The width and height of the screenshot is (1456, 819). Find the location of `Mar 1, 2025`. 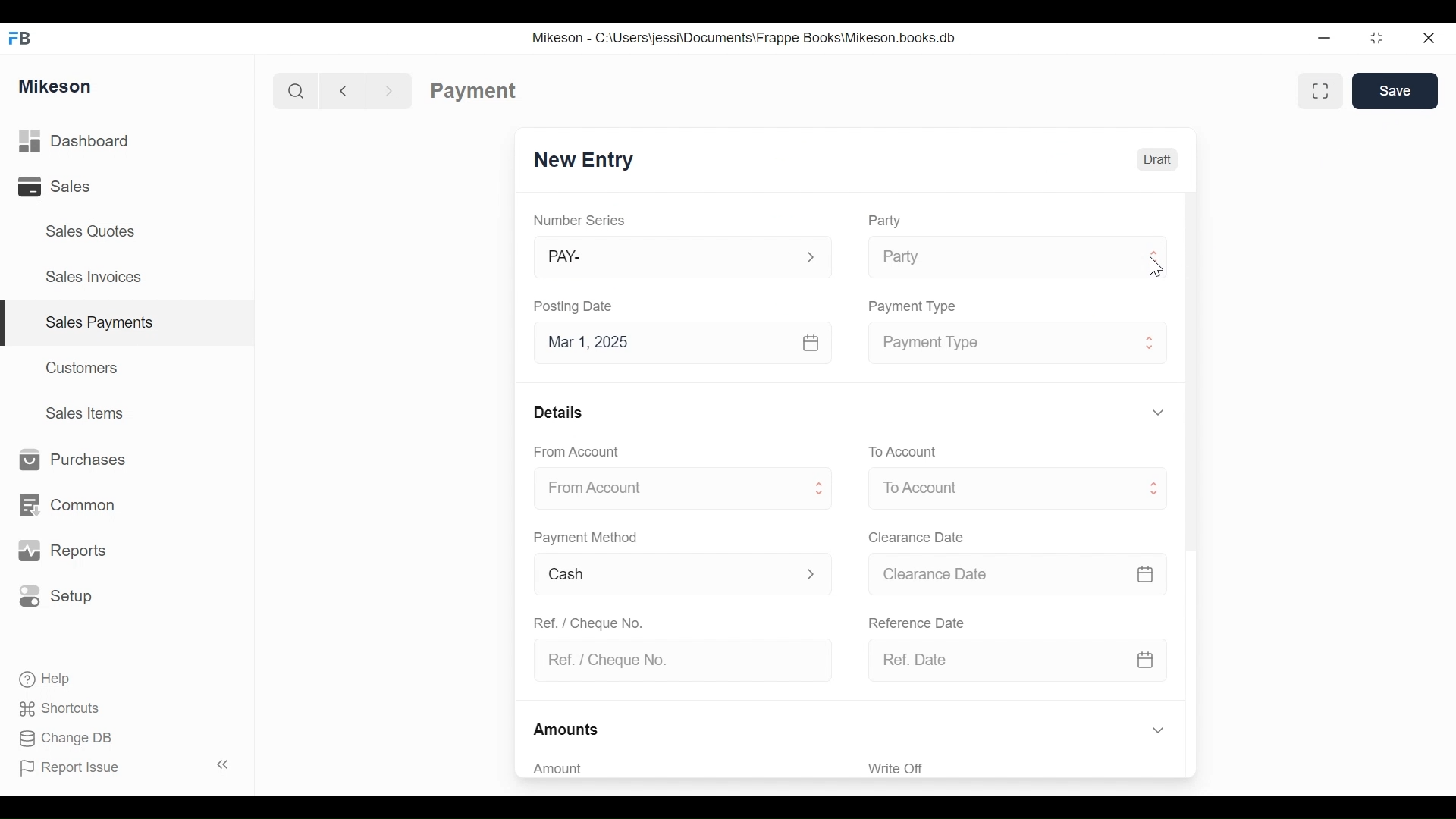

Mar 1, 2025 is located at coordinates (692, 345).